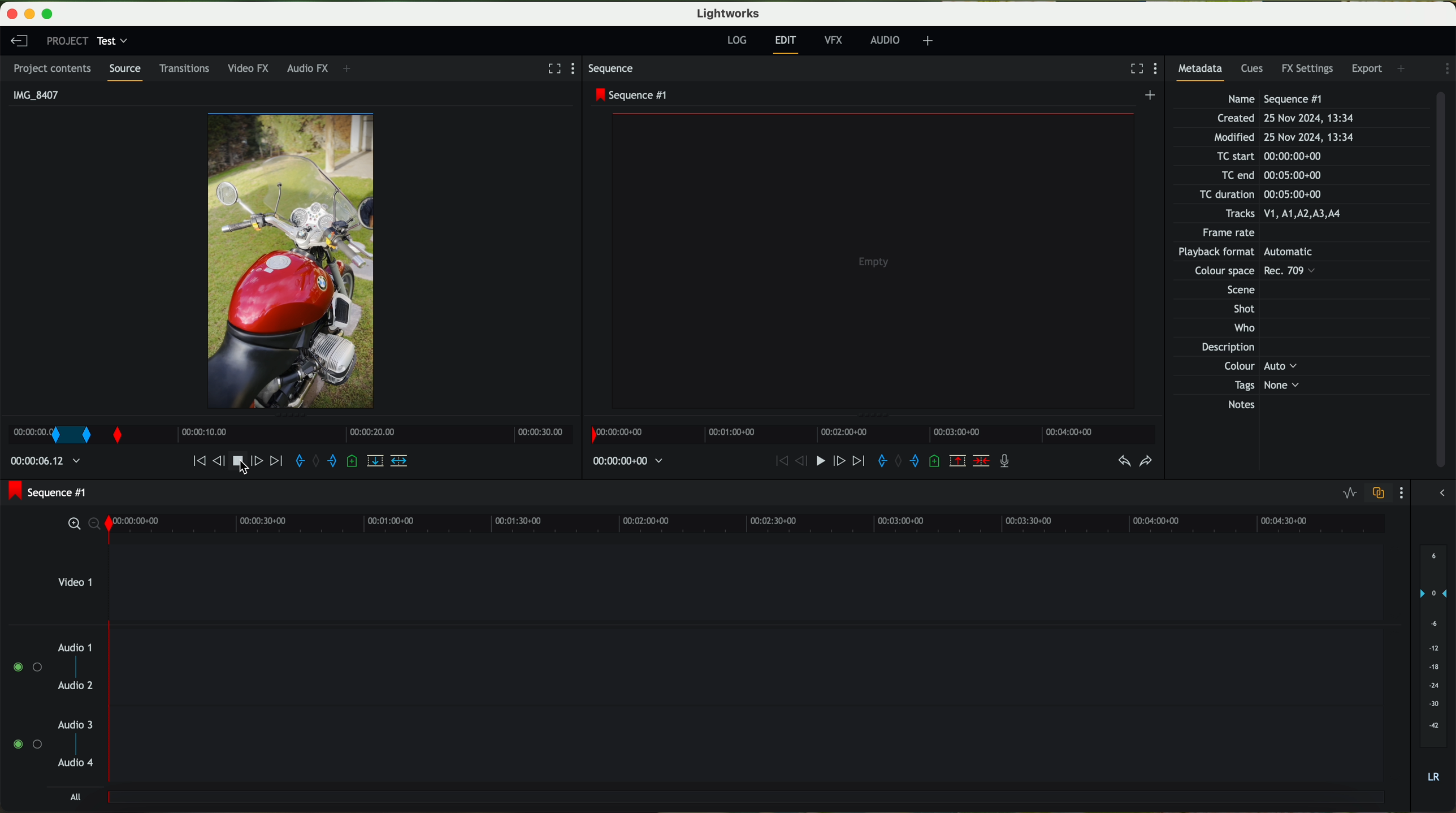 Image resolution: width=1456 pixels, height=813 pixels. What do you see at coordinates (578, 69) in the screenshot?
I see `show settings menu` at bounding box center [578, 69].